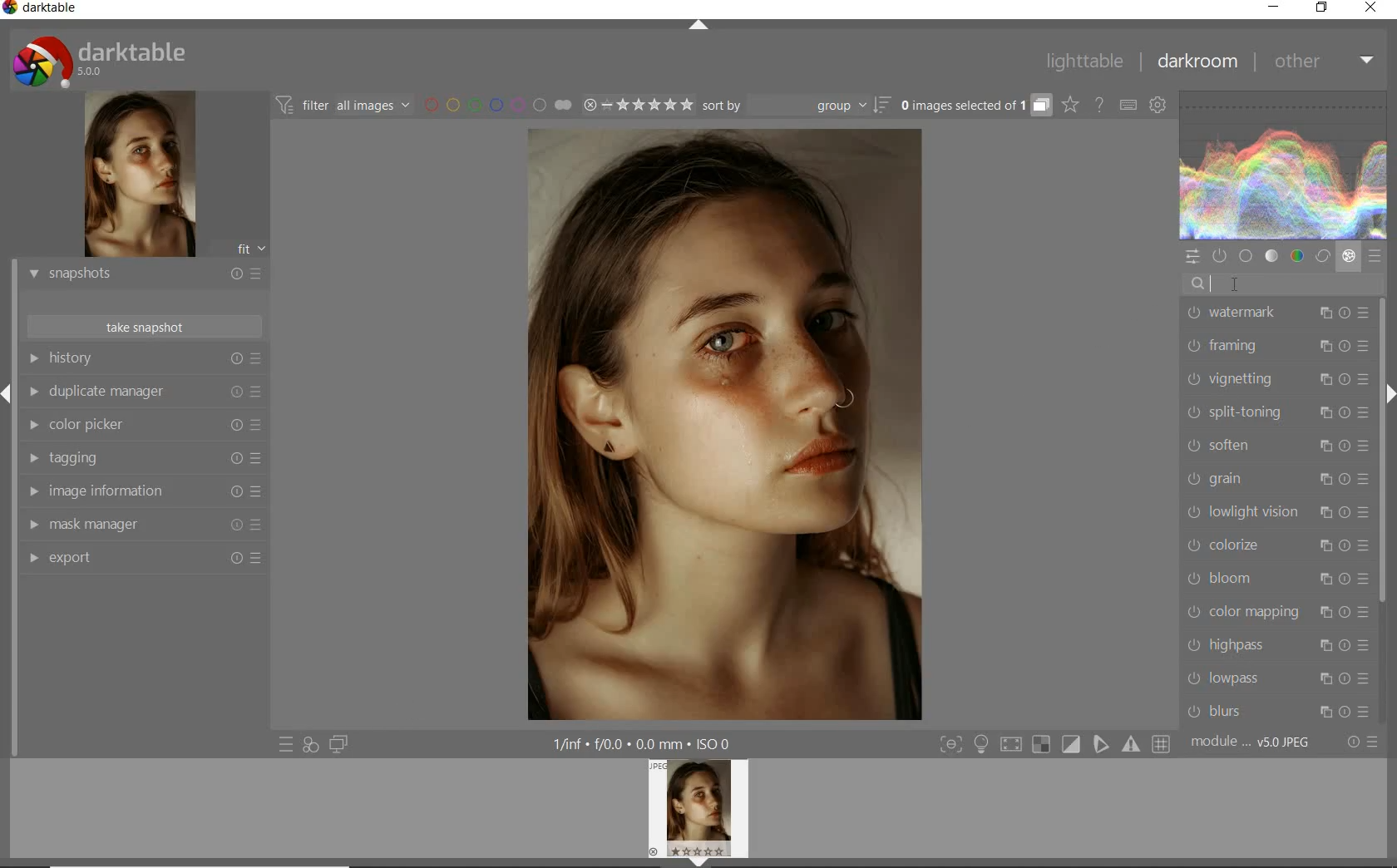 The height and width of the screenshot is (868, 1397). What do you see at coordinates (1374, 256) in the screenshot?
I see `presets` at bounding box center [1374, 256].